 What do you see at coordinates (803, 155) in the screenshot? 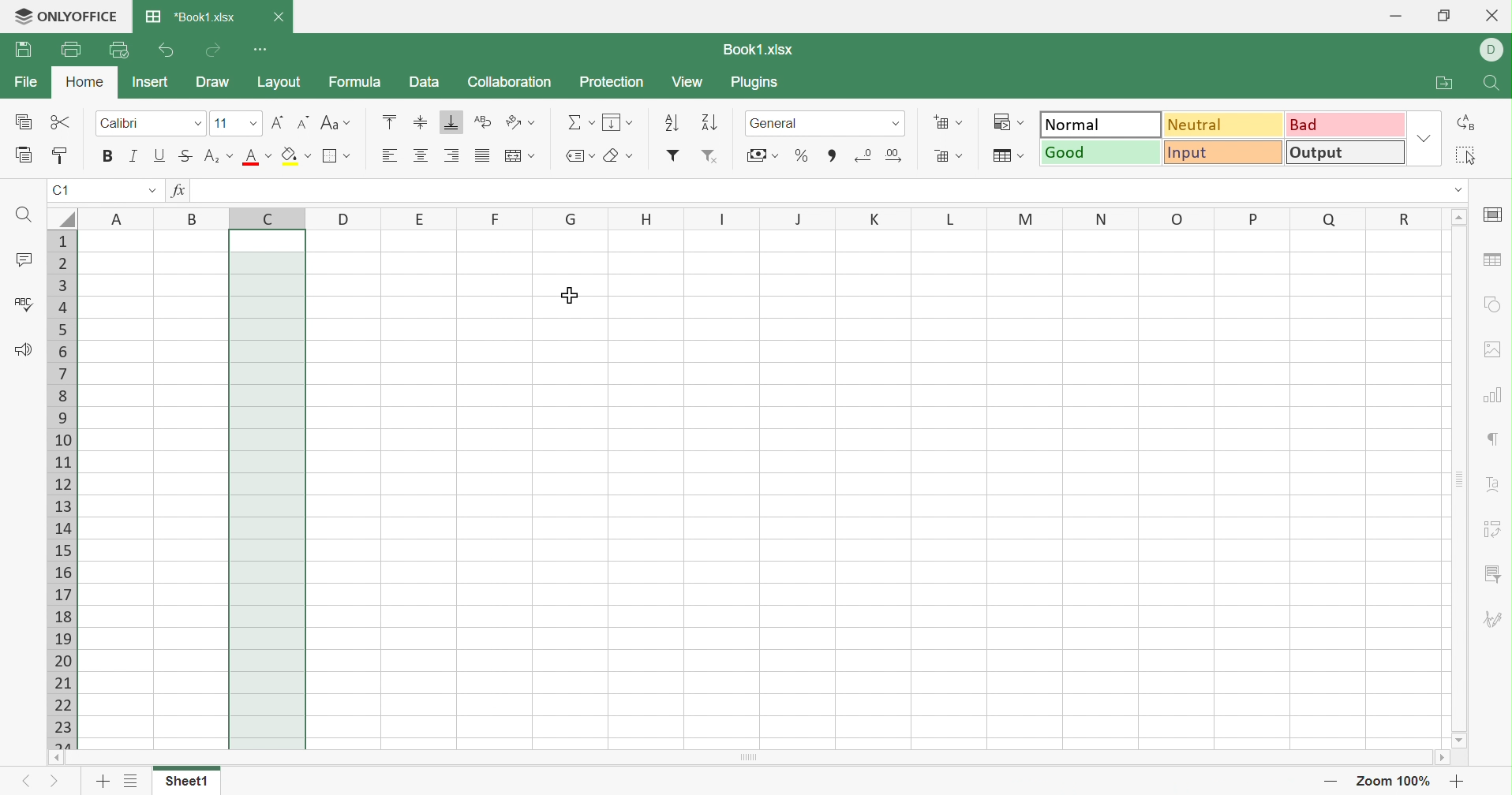
I see `Percentage style` at bounding box center [803, 155].